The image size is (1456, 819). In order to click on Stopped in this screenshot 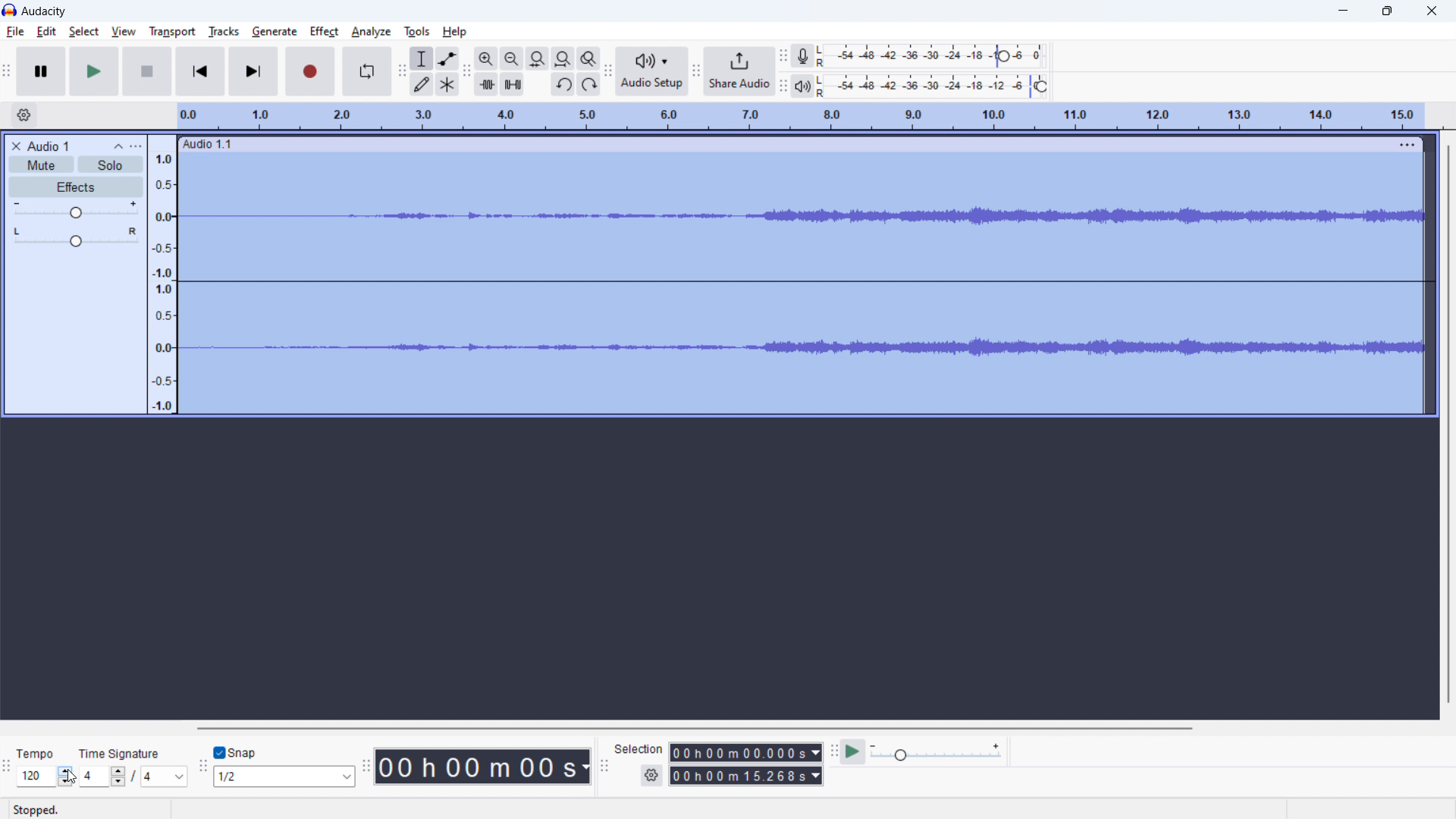, I will do `click(37, 808)`.